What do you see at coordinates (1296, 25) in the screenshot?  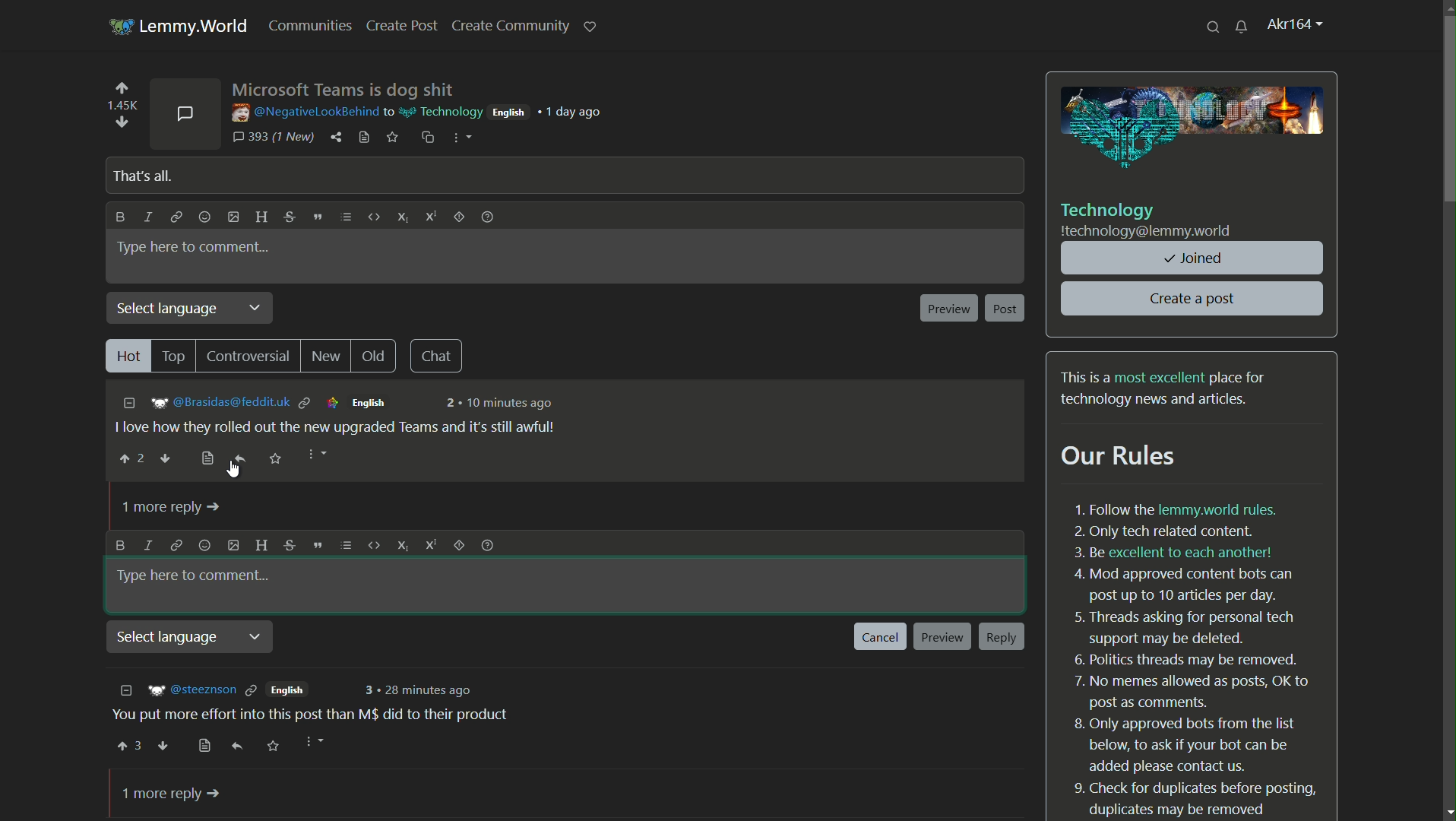 I see `profile name` at bounding box center [1296, 25].